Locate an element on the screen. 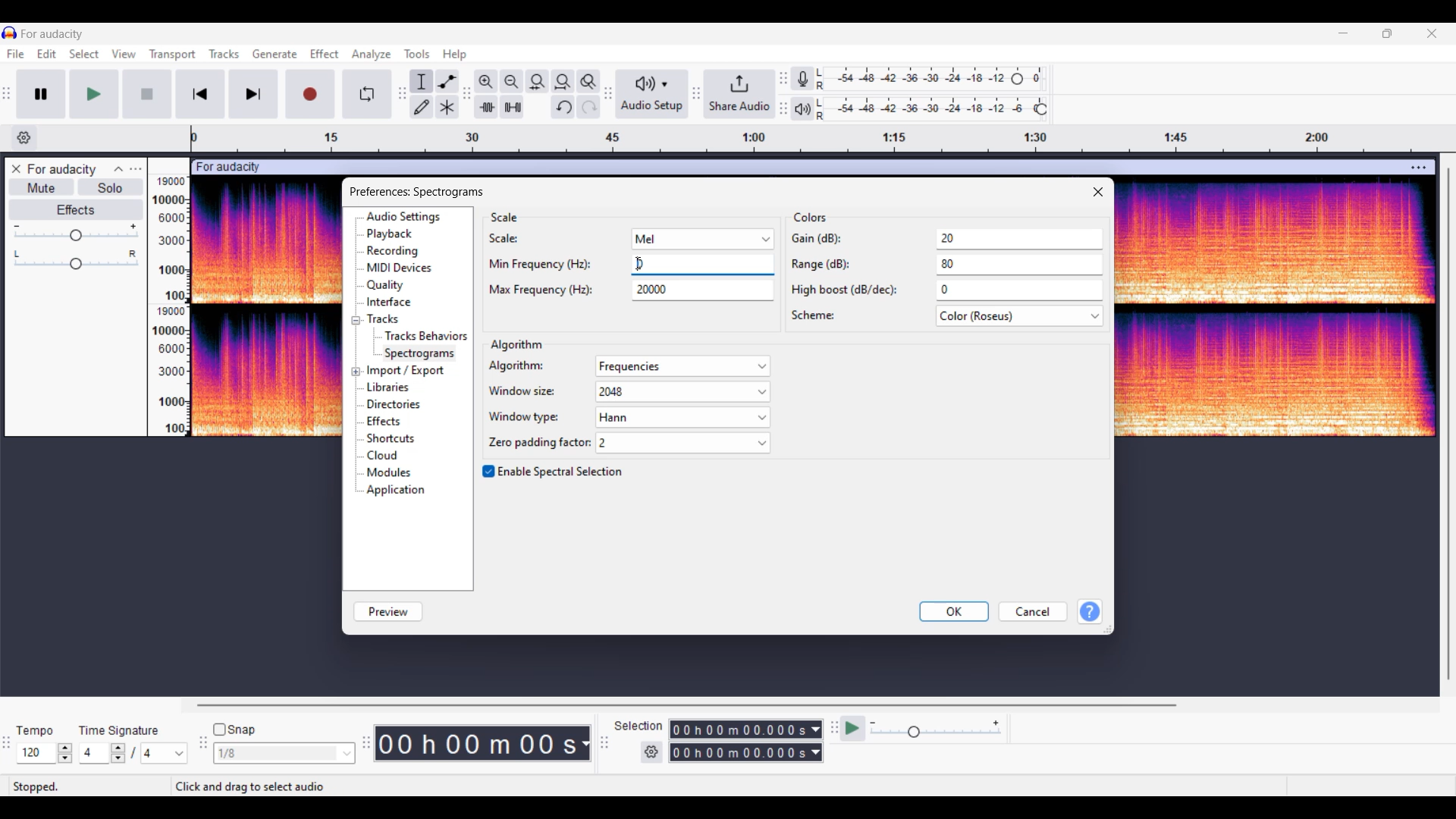  Play/Play once is located at coordinates (94, 94).